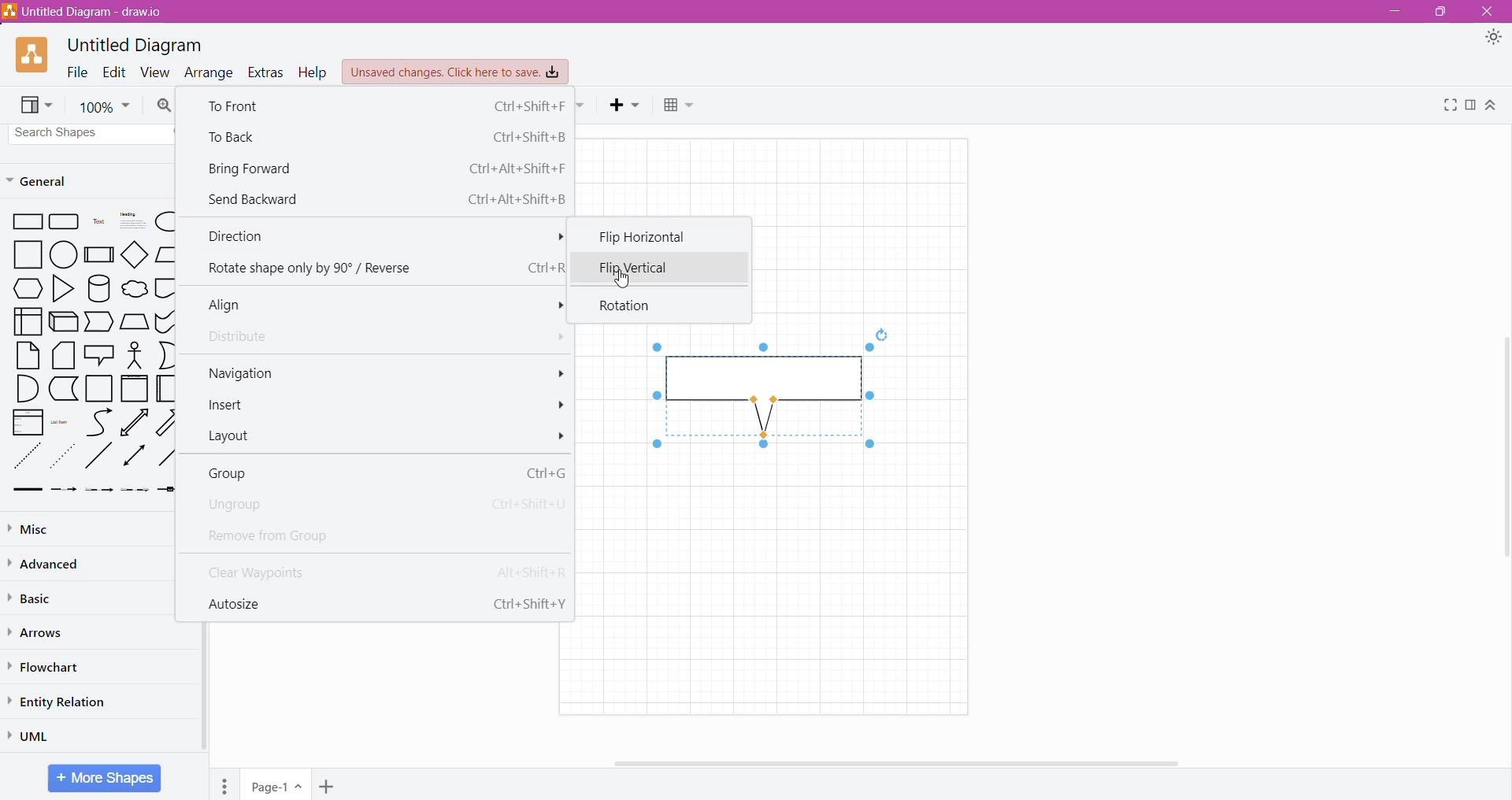 The width and height of the screenshot is (1512, 800). Describe the element at coordinates (1489, 12) in the screenshot. I see `Close` at that location.